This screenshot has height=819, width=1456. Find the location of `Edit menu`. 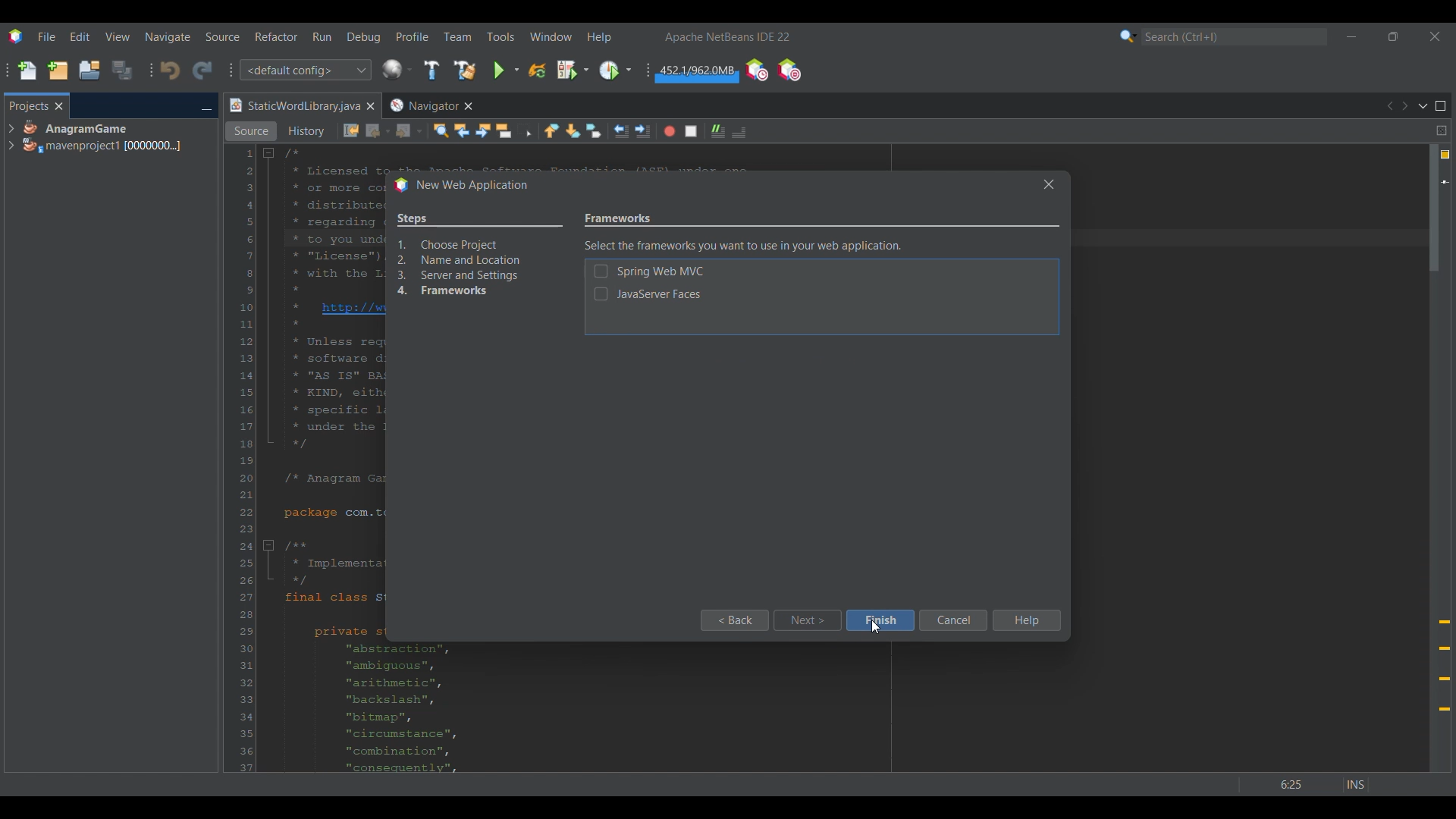

Edit menu is located at coordinates (80, 37).